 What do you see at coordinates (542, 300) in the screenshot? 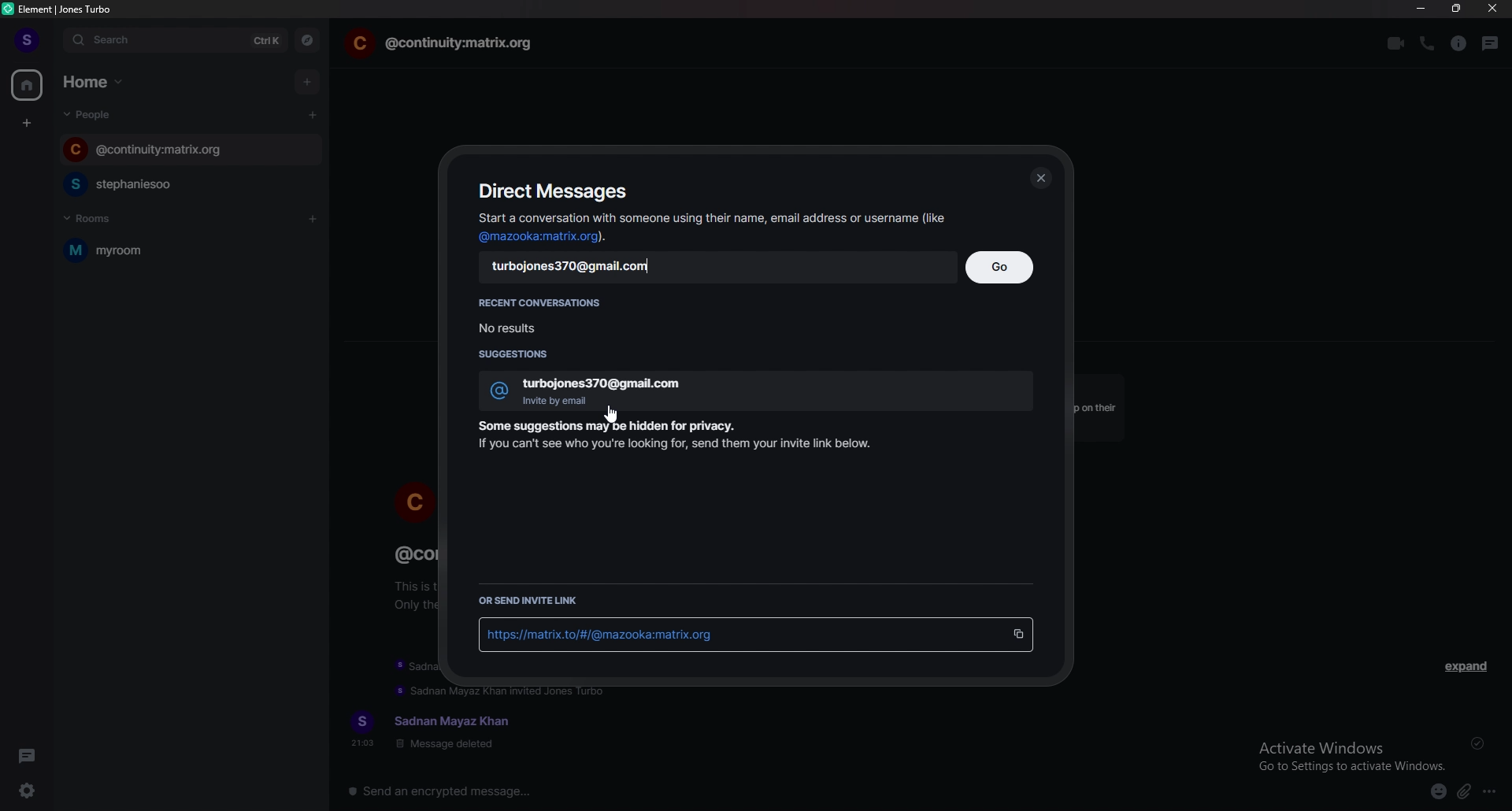
I see `recent conversations` at bounding box center [542, 300].